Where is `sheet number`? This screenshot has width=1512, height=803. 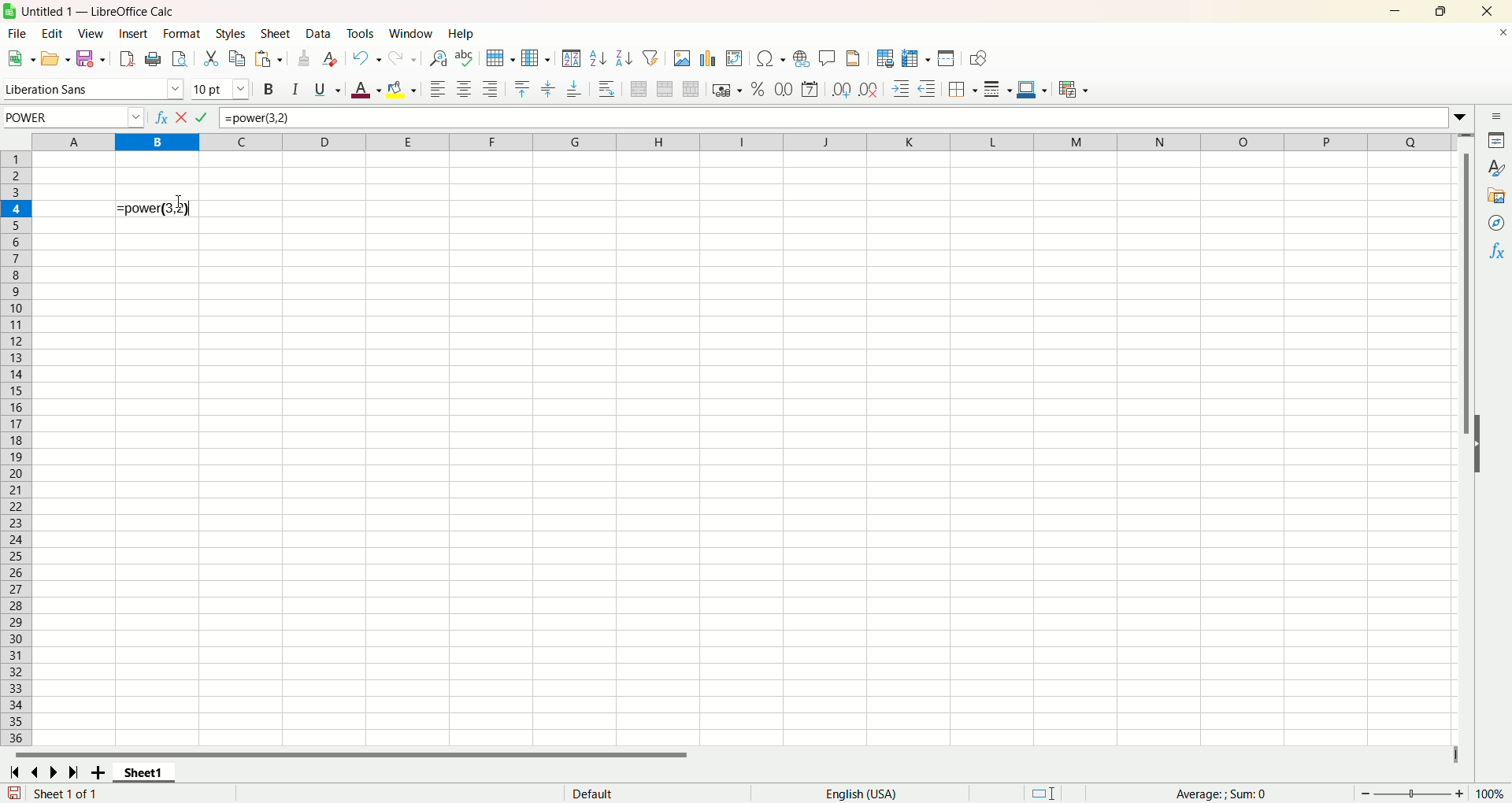 sheet number is located at coordinates (117, 794).